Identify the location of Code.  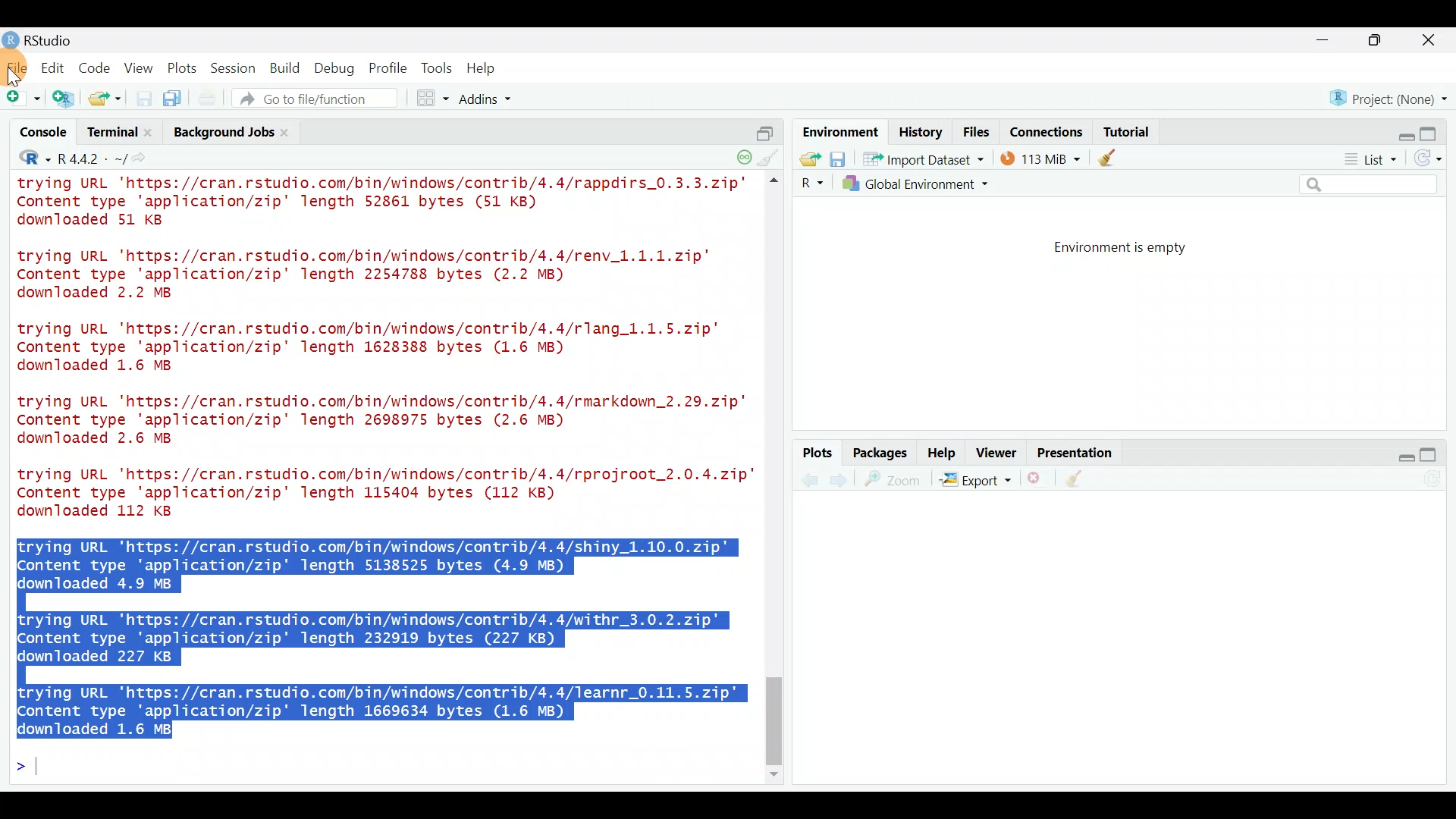
(96, 67).